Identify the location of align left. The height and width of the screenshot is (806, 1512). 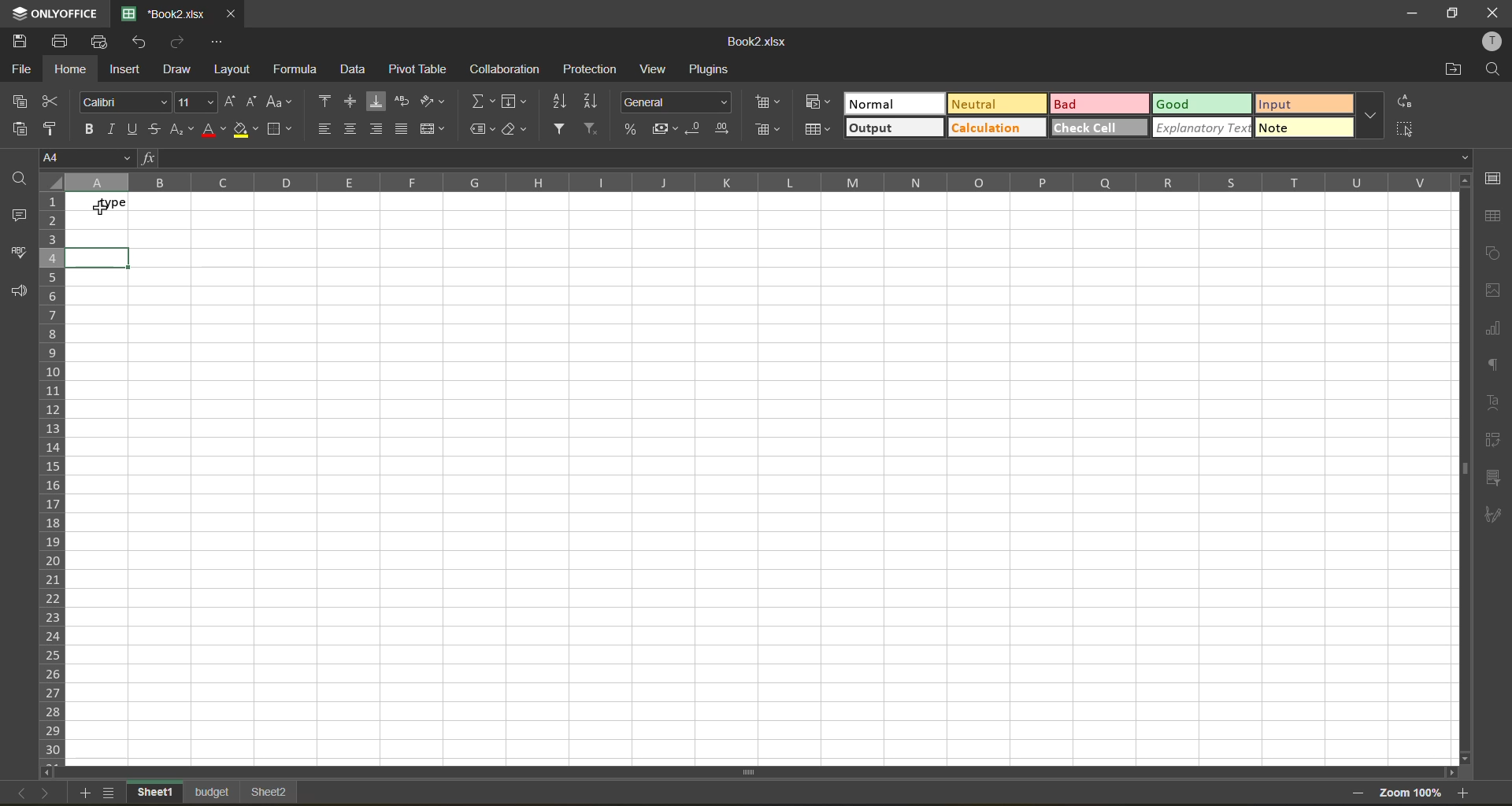
(324, 128).